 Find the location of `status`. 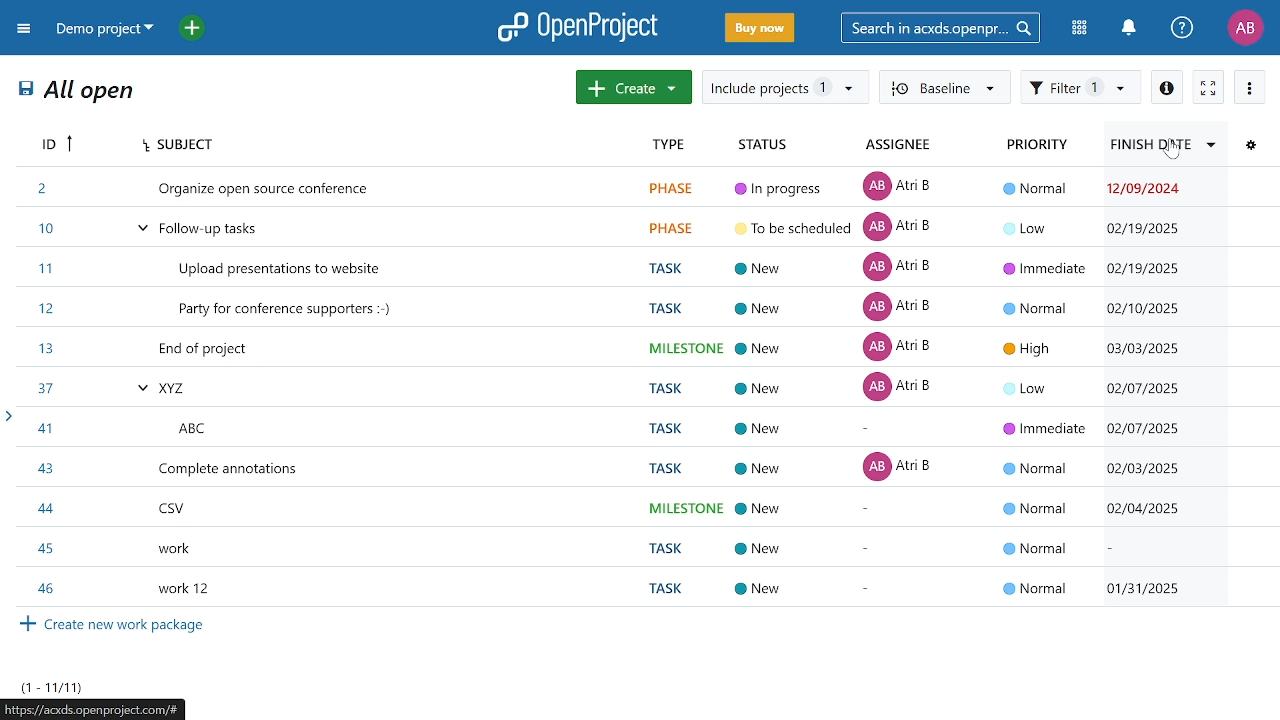

status is located at coordinates (786, 147).